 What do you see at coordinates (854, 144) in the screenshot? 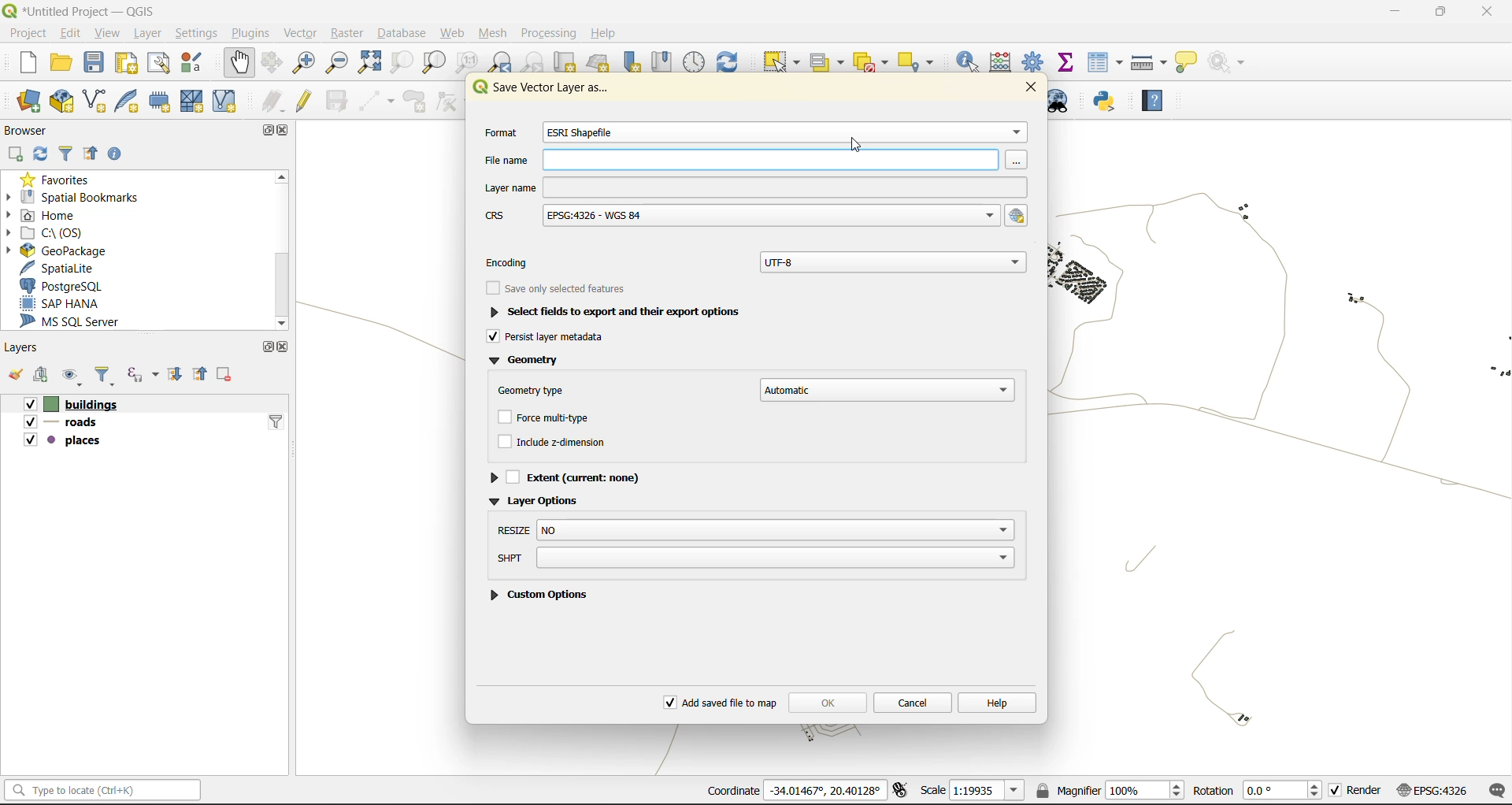
I see `cursor` at bounding box center [854, 144].